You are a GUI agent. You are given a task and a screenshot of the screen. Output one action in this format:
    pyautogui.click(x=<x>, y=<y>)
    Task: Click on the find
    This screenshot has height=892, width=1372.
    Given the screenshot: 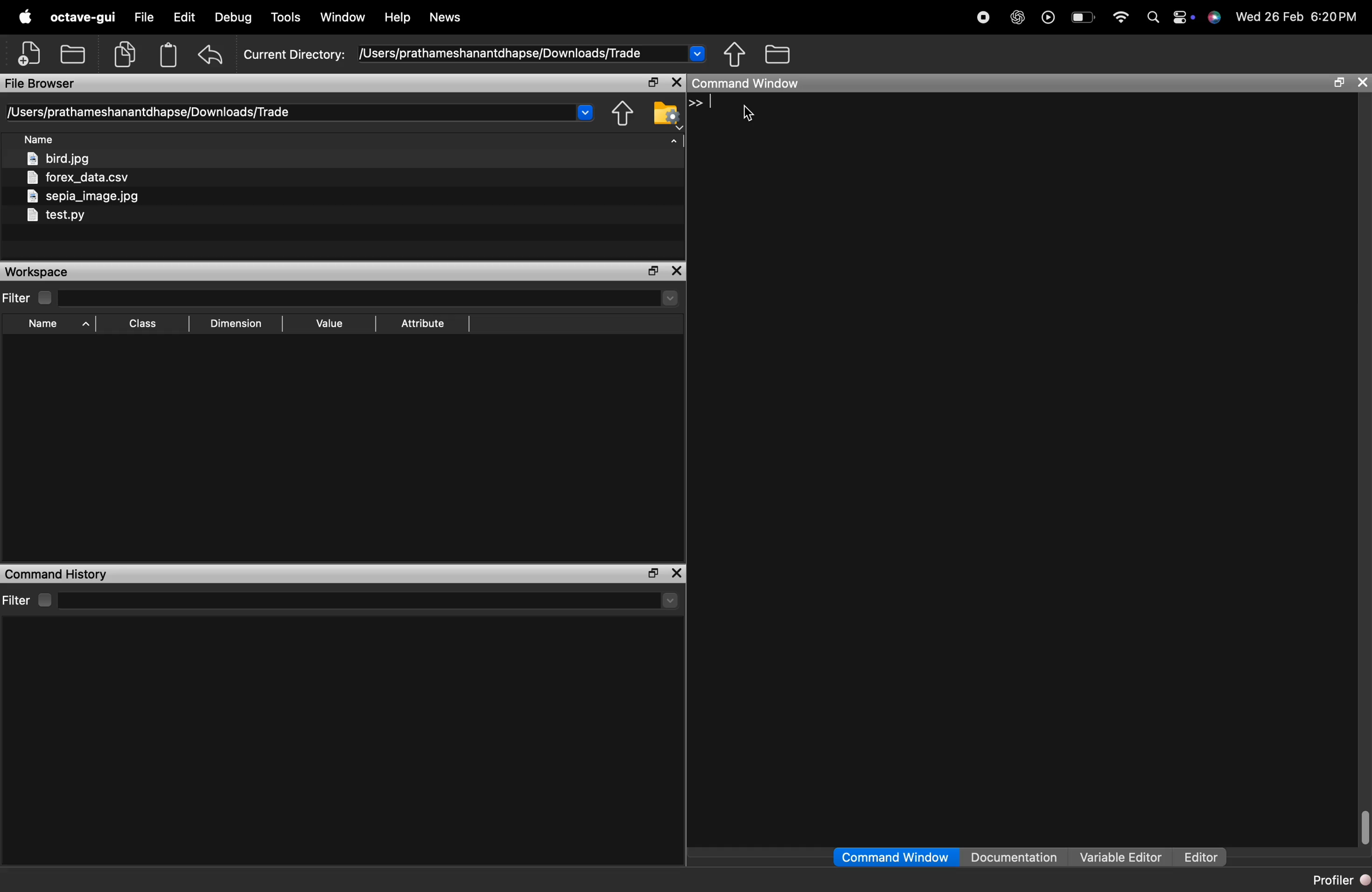 What is the action you would take?
    pyautogui.click(x=1154, y=17)
    